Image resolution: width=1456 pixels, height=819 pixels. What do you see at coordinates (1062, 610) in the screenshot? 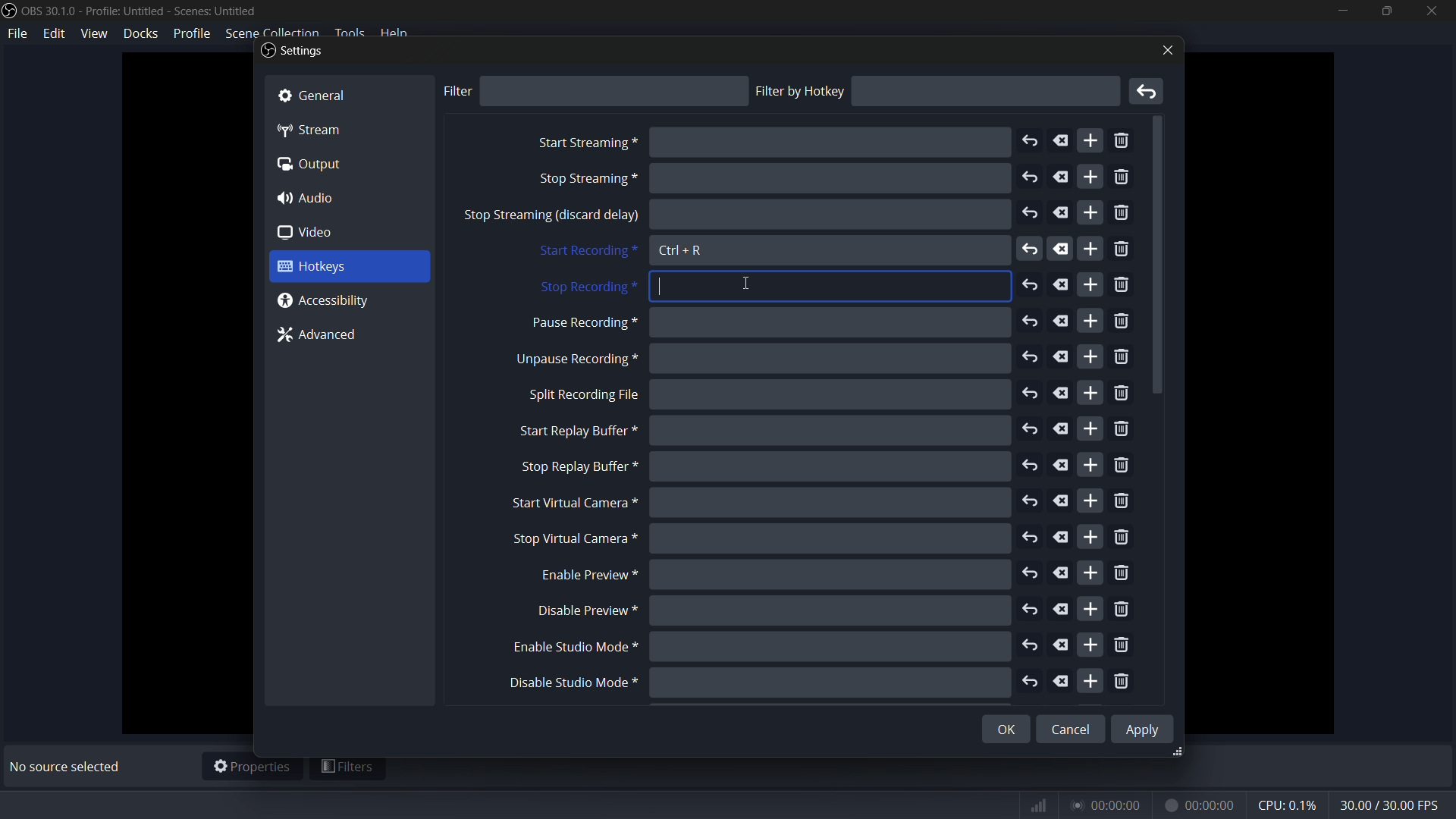
I see `delete` at bounding box center [1062, 610].